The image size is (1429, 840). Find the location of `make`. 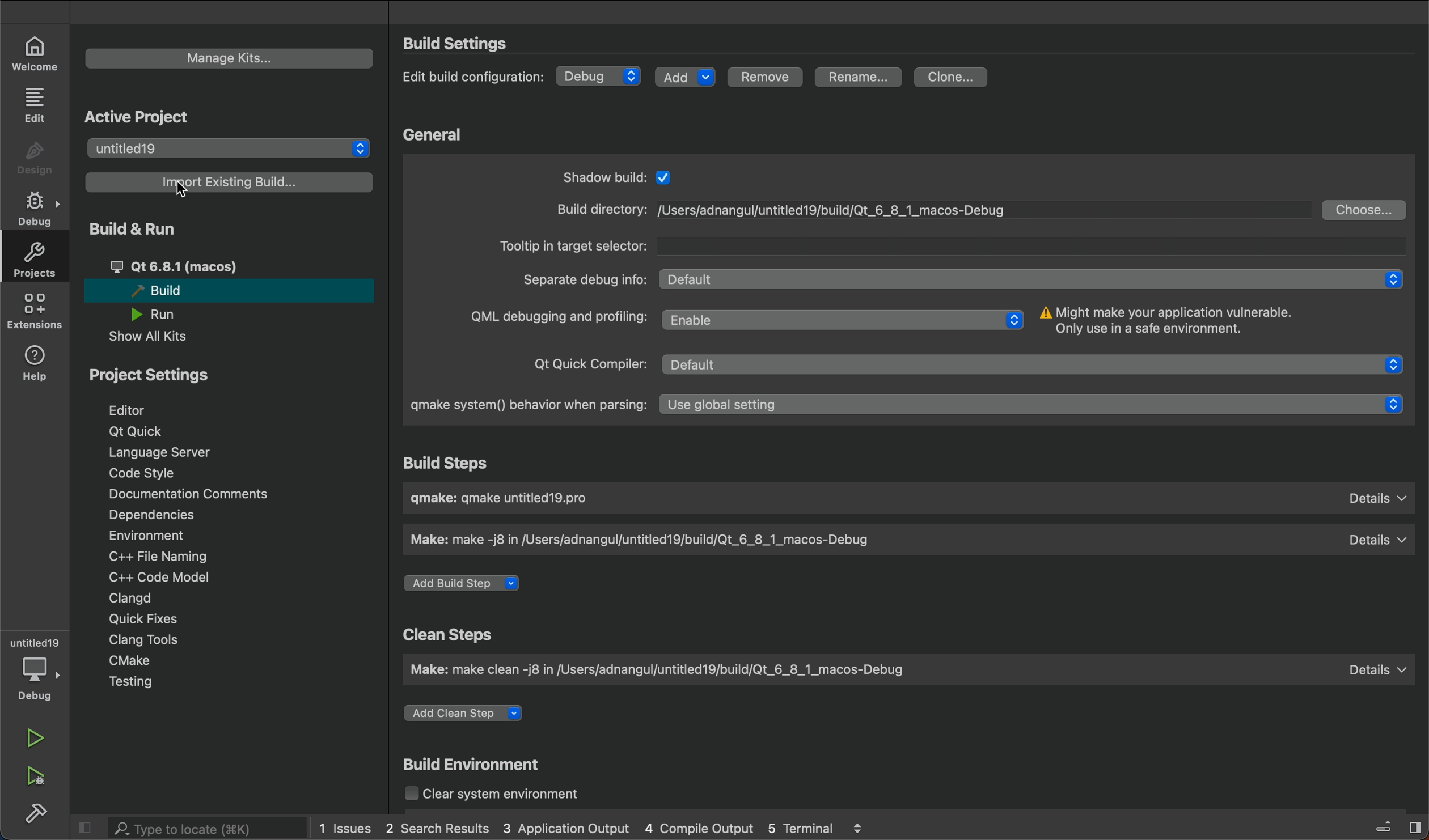

make is located at coordinates (908, 540).